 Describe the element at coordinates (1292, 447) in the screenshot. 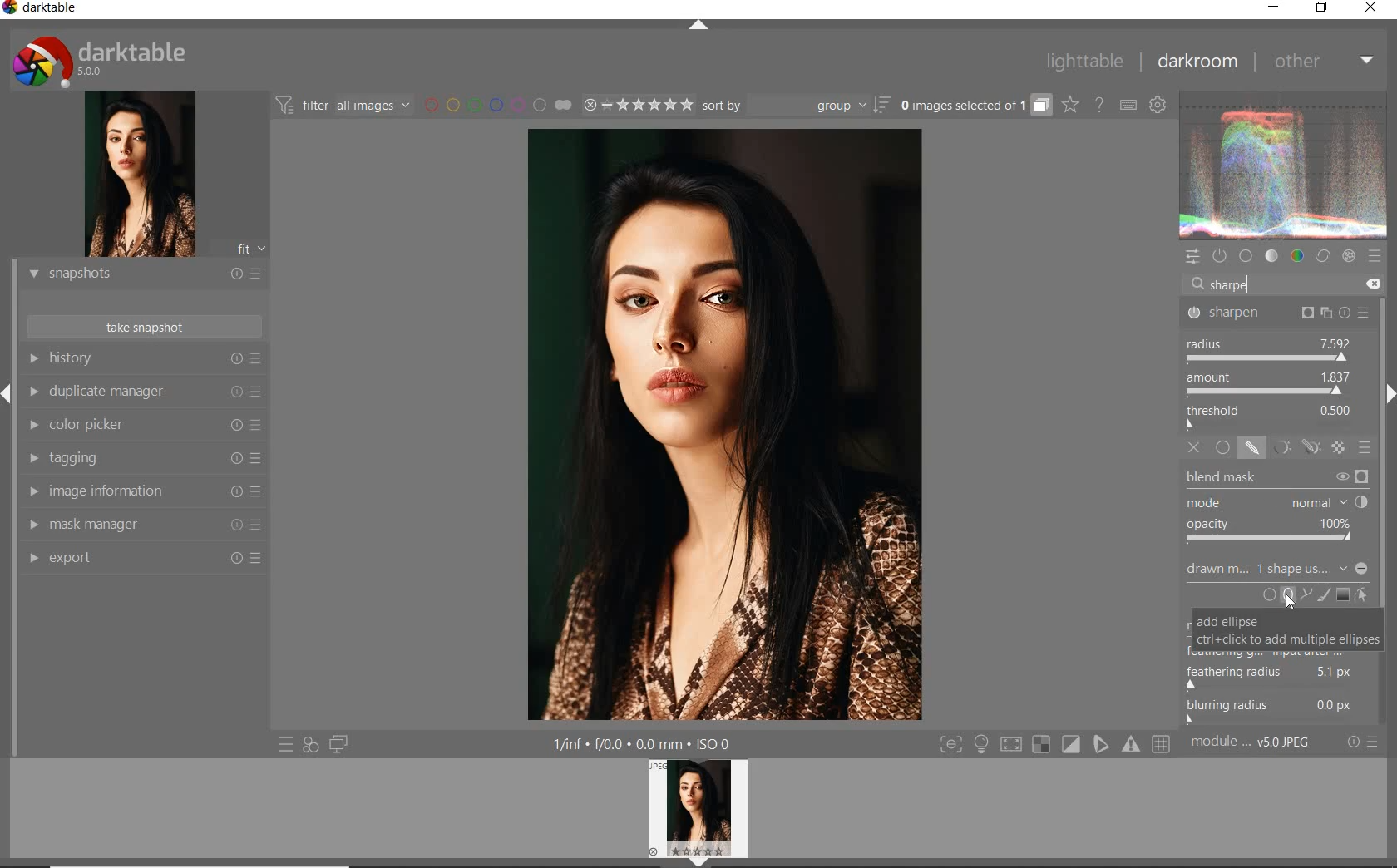

I see `MASK MODES` at that location.